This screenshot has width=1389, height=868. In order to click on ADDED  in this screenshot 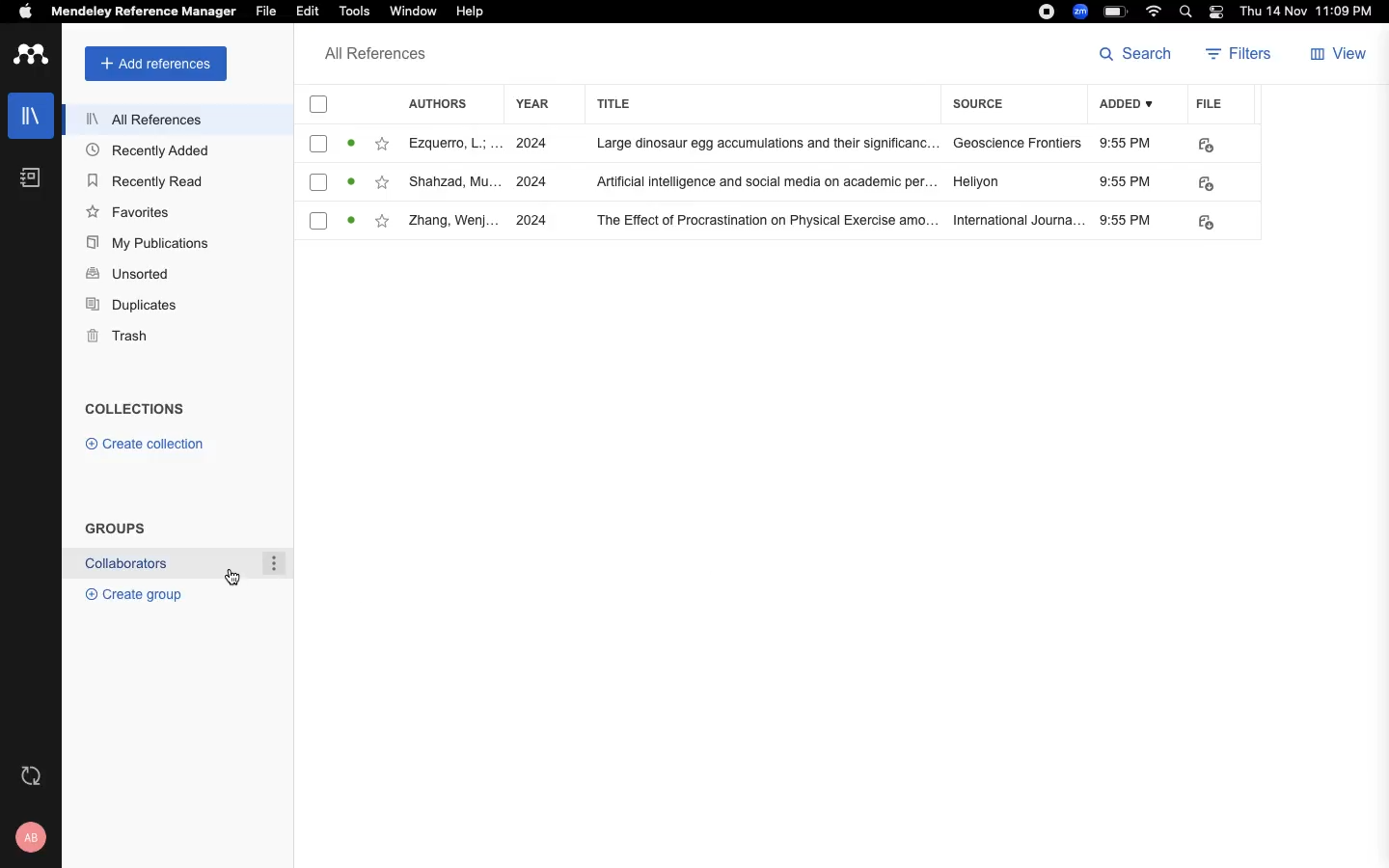, I will do `click(1122, 104)`.